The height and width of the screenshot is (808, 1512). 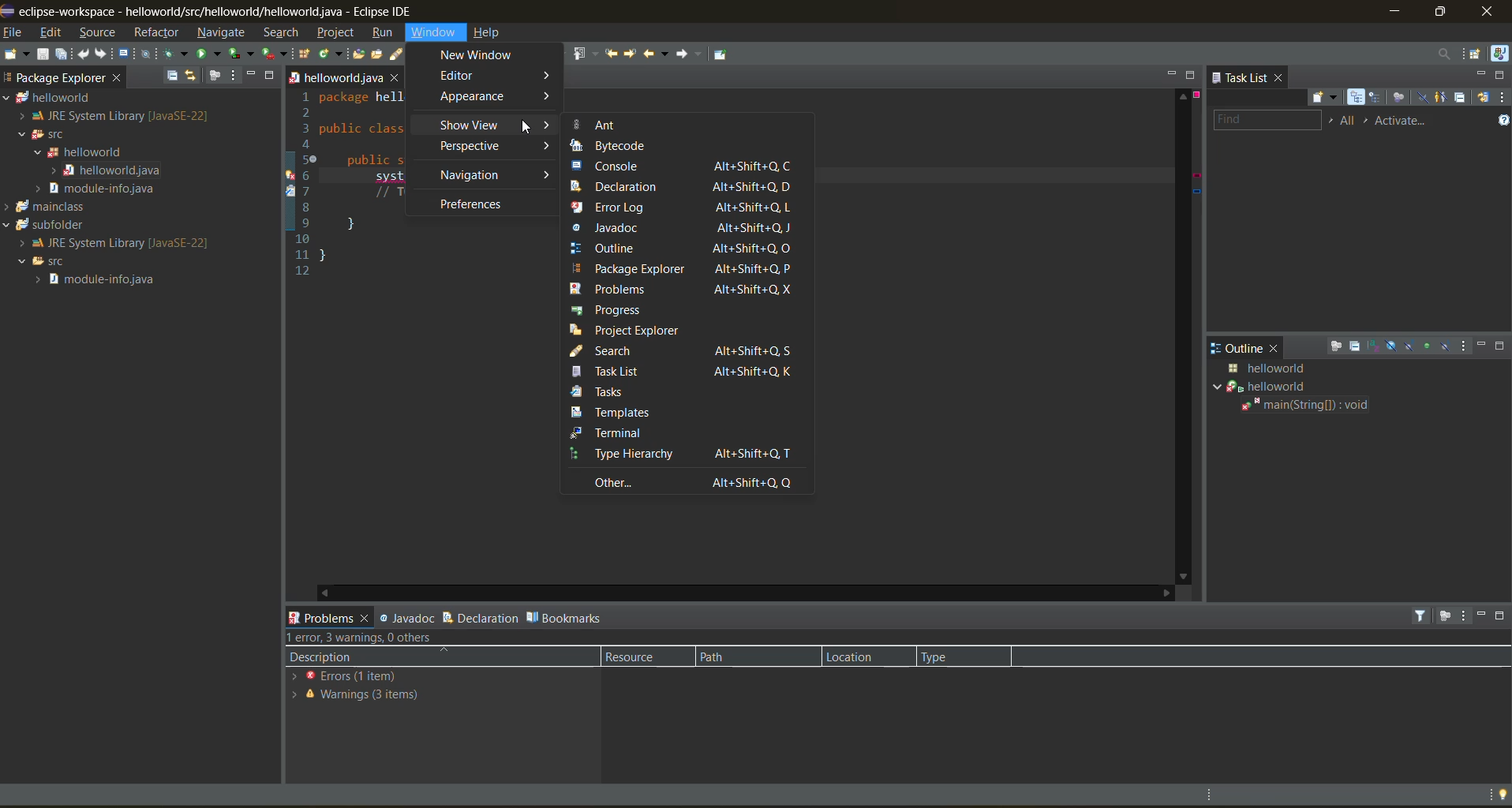 What do you see at coordinates (582, 616) in the screenshot?
I see `bookmarks` at bounding box center [582, 616].